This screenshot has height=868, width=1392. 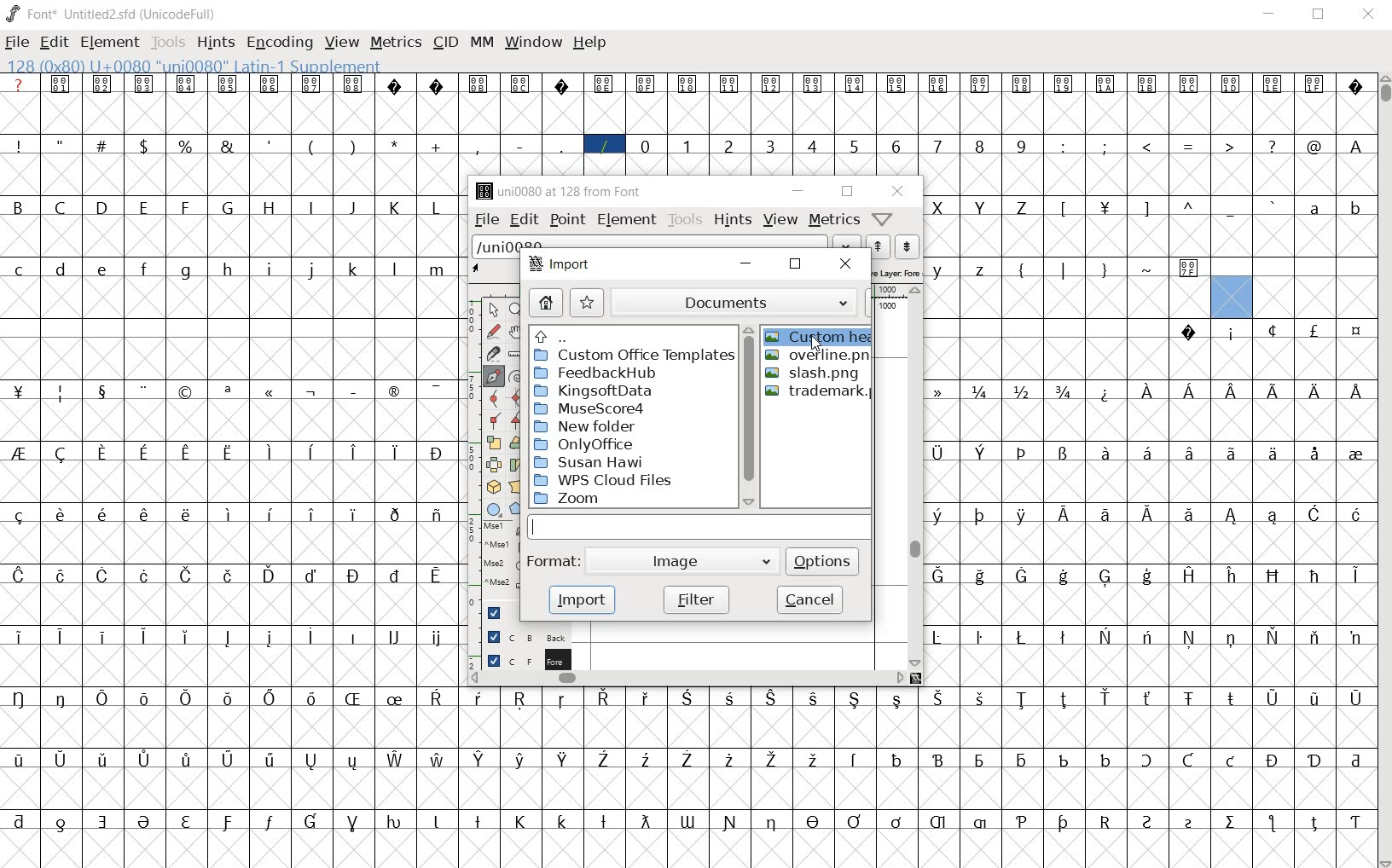 What do you see at coordinates (772, 761) in the screenshot?
I see `glyph` at bounding box center [772, 761].